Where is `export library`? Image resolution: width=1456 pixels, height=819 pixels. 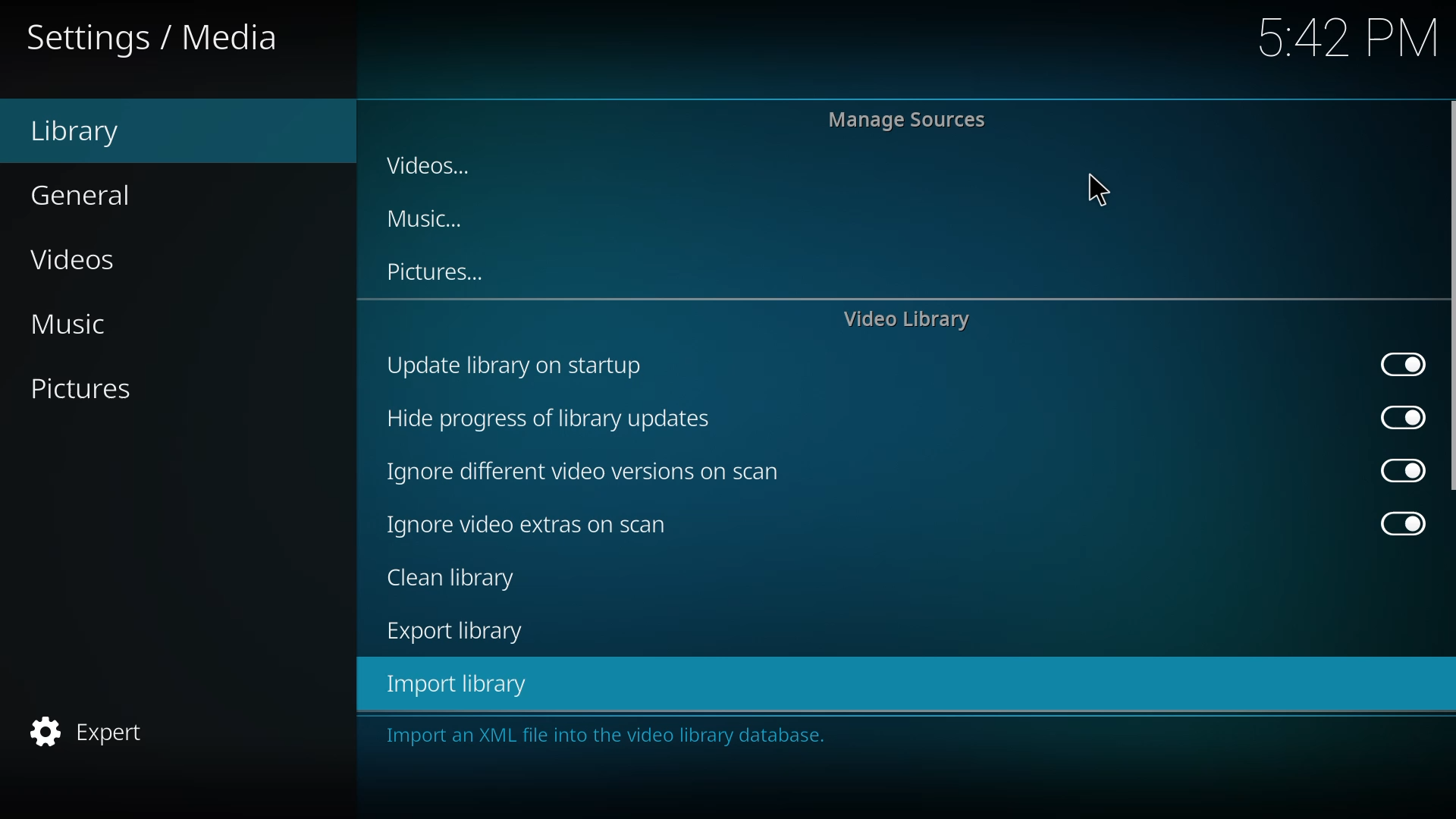 export library is located at coordinates (451, 634).